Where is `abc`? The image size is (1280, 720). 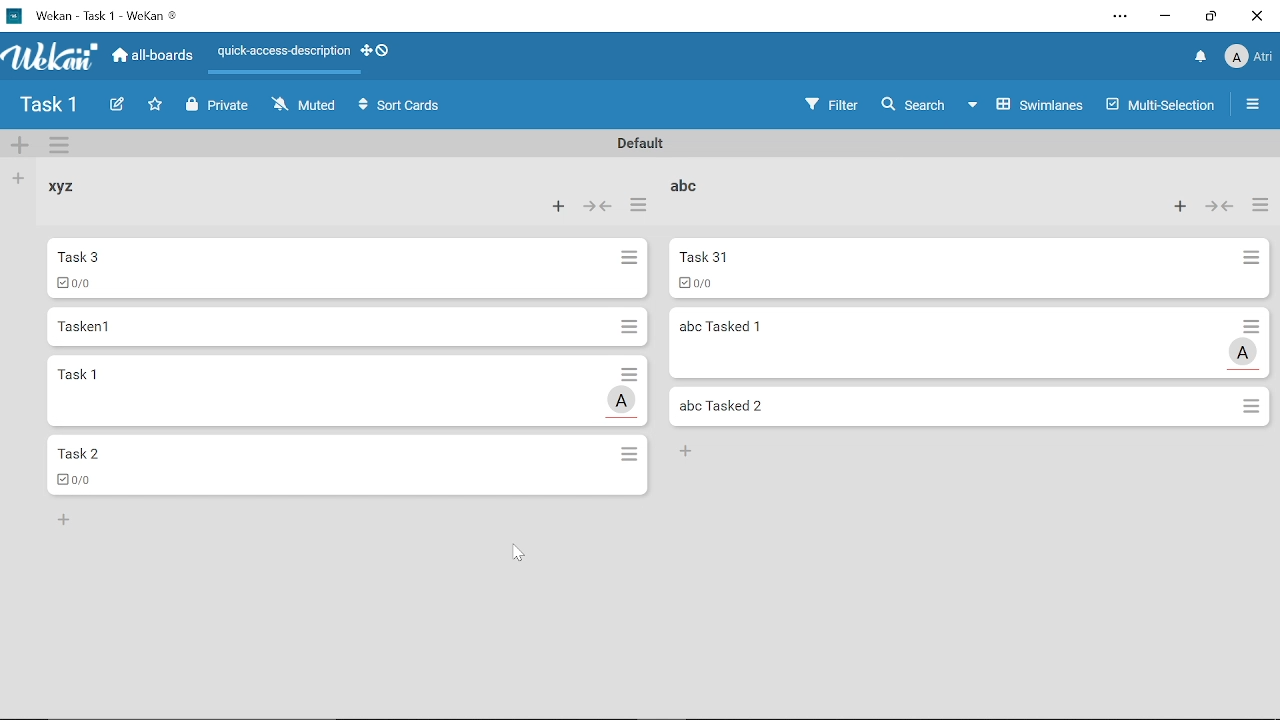 abc is located at coordinates (684, 185).